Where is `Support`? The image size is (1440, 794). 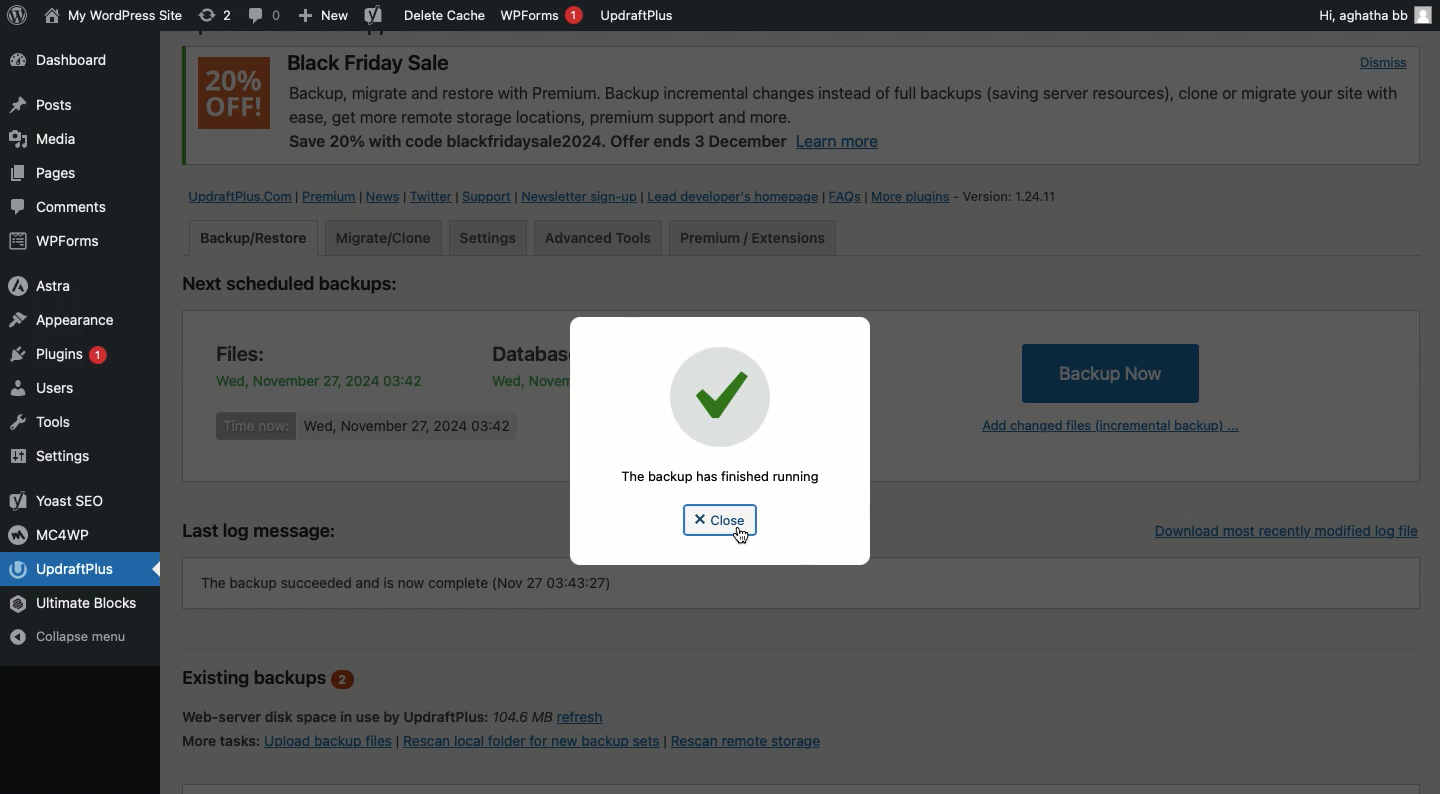 Support is located at coordinates (487, 198).